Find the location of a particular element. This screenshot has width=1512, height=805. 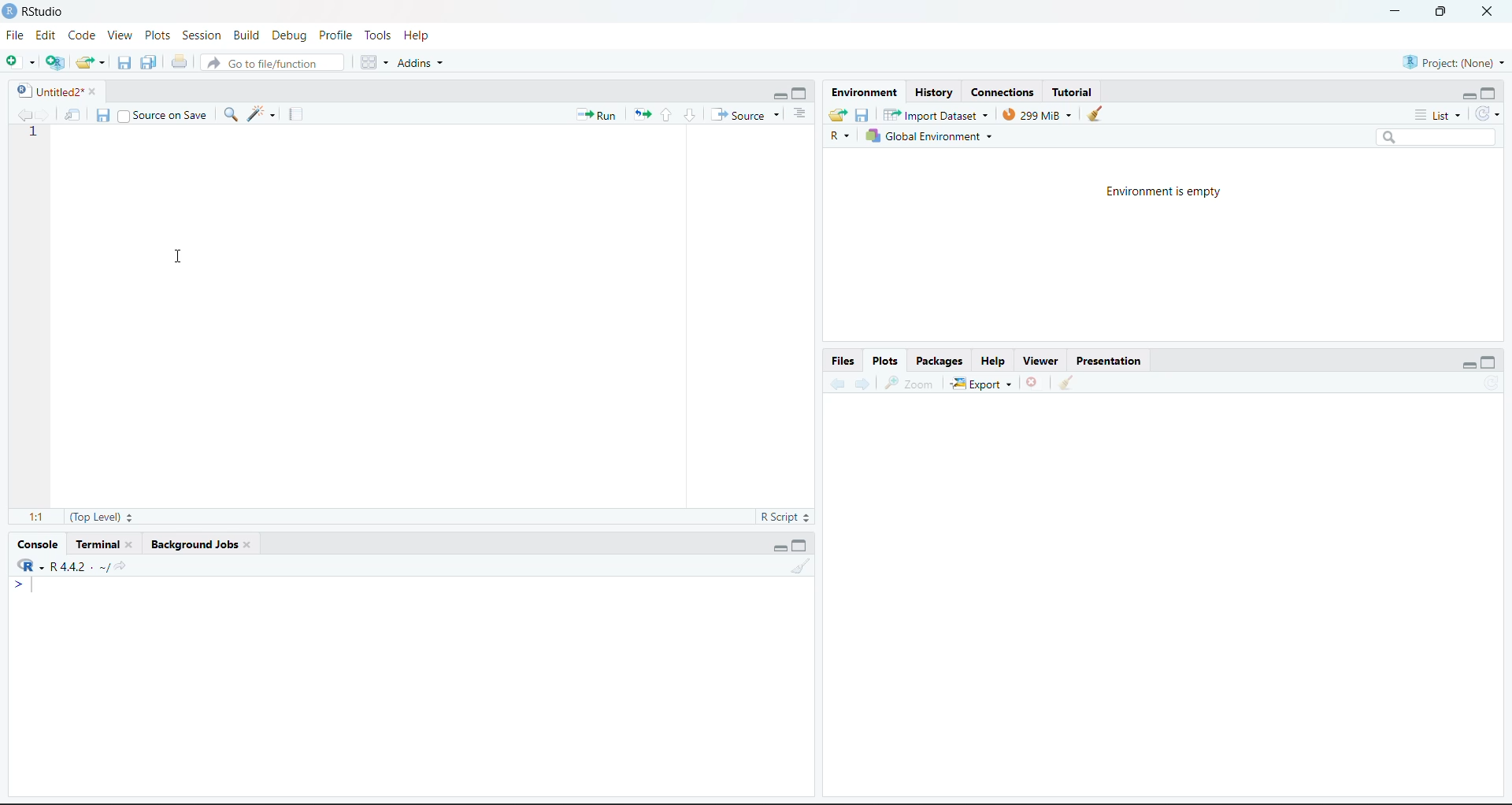

go back to the previous source location is located at coordinates (25, 114).